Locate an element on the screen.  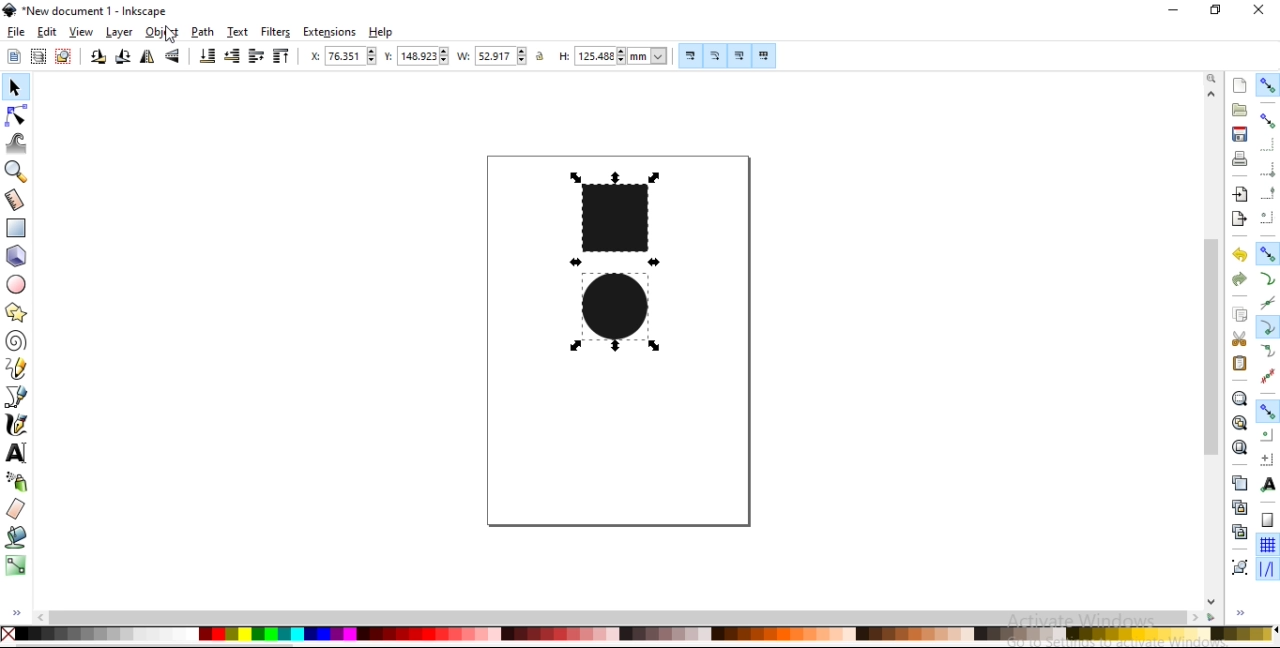
snap guide is located at coordinates (1266, 569).